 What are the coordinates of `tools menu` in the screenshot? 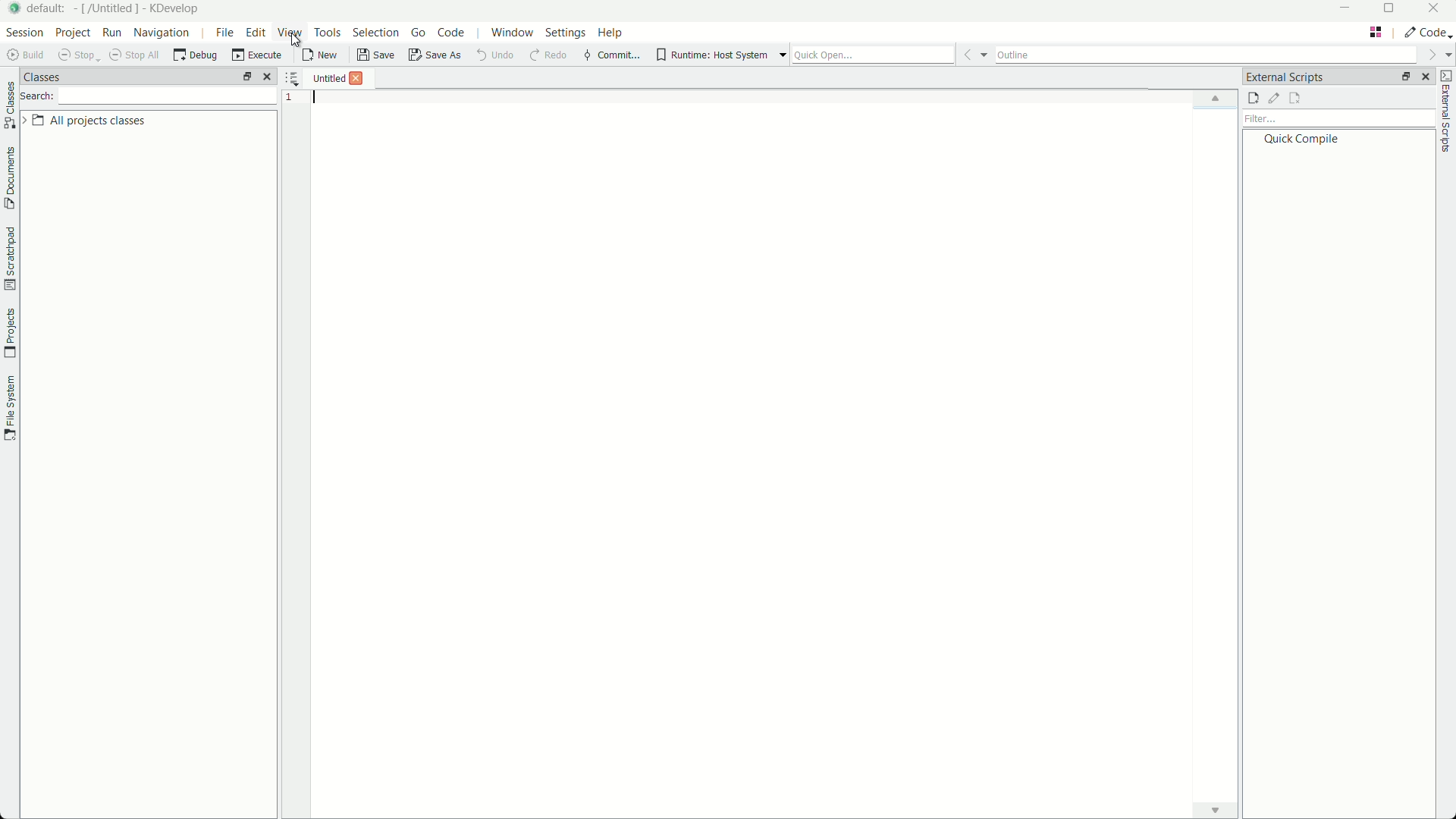 It's located at (329, 31).